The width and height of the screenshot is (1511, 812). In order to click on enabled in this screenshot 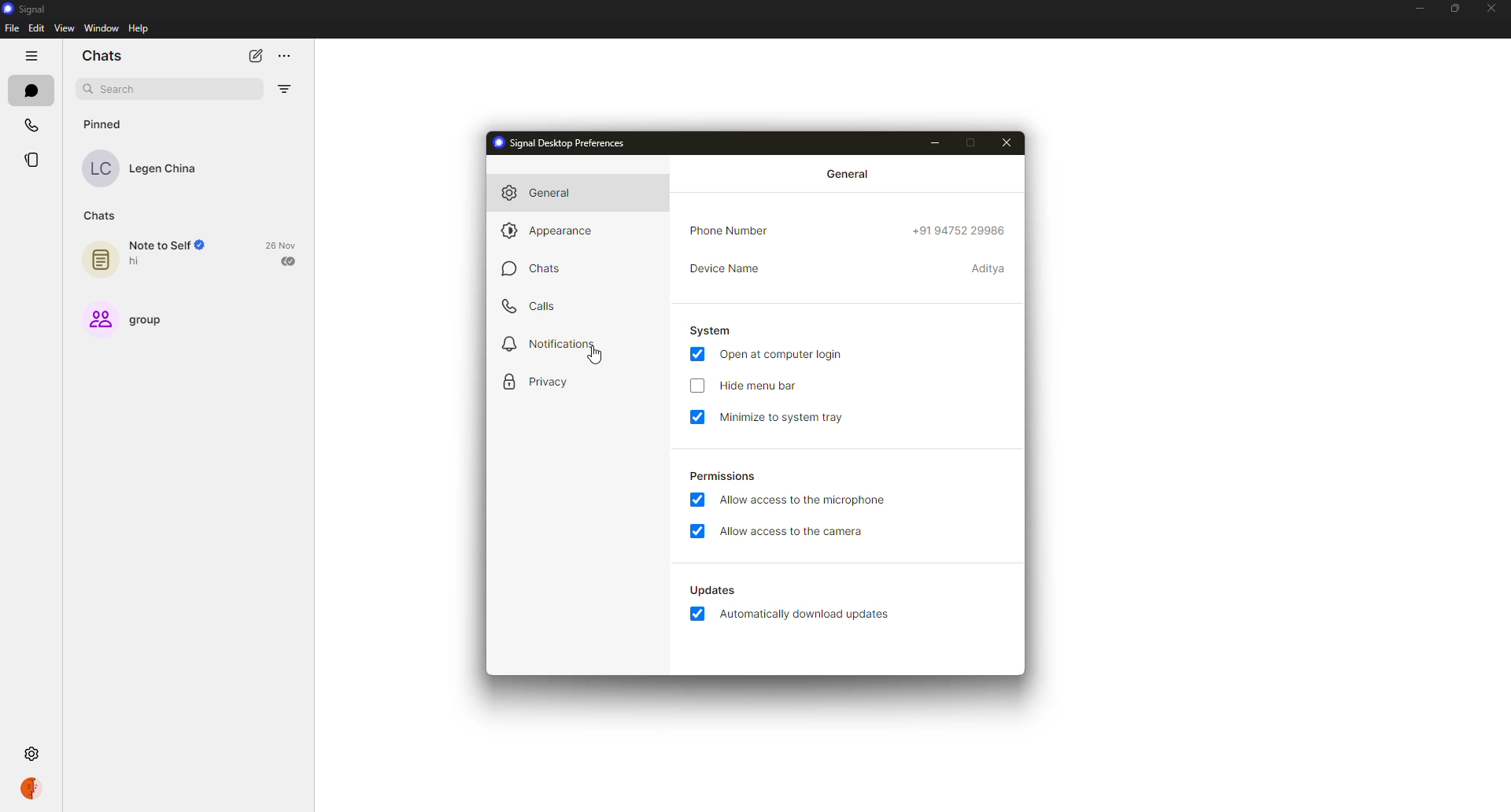, I will do `click(695, 500)`.